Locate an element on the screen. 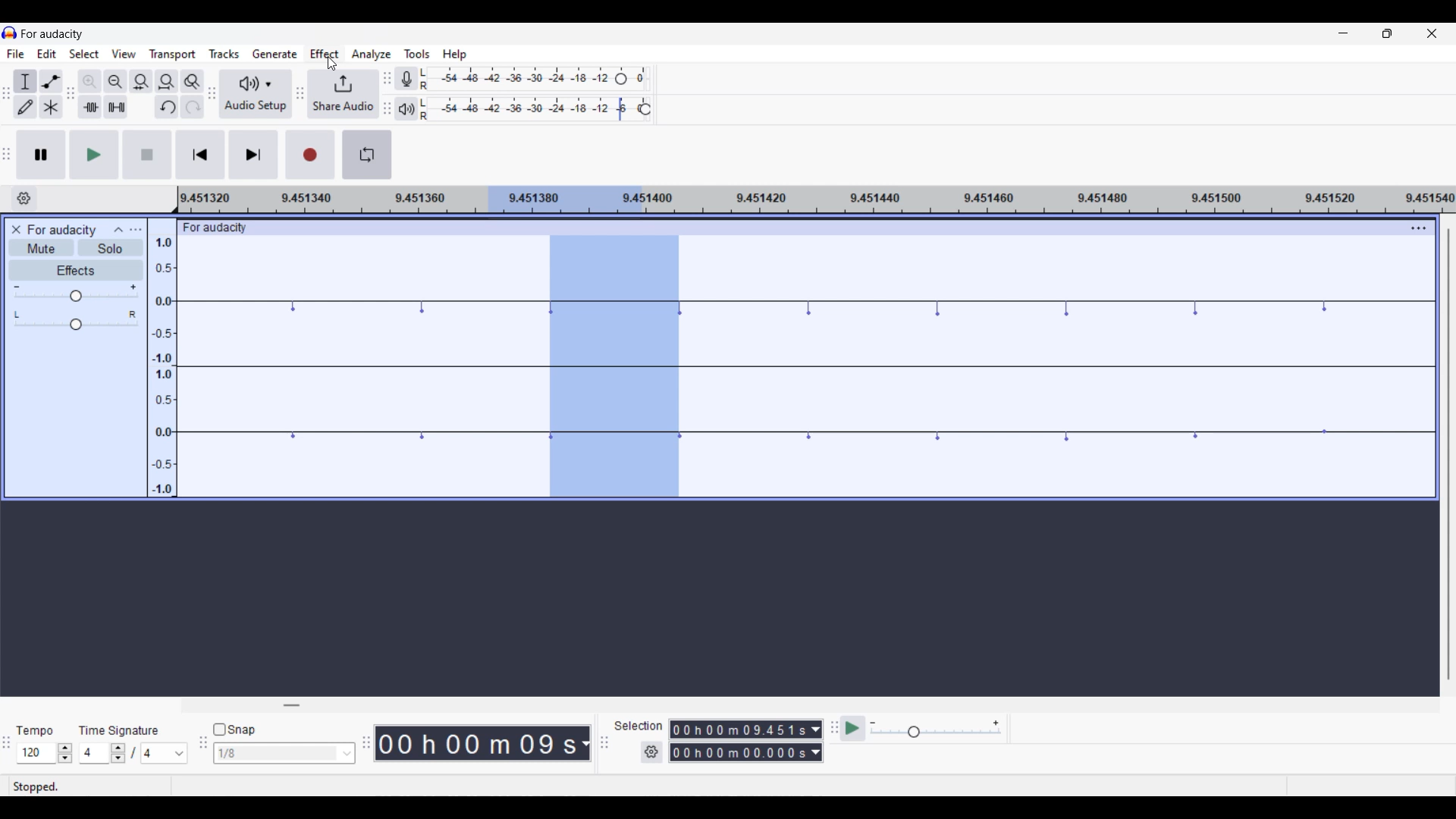  Vertical slide bar is located at coordinates (1450, 455).